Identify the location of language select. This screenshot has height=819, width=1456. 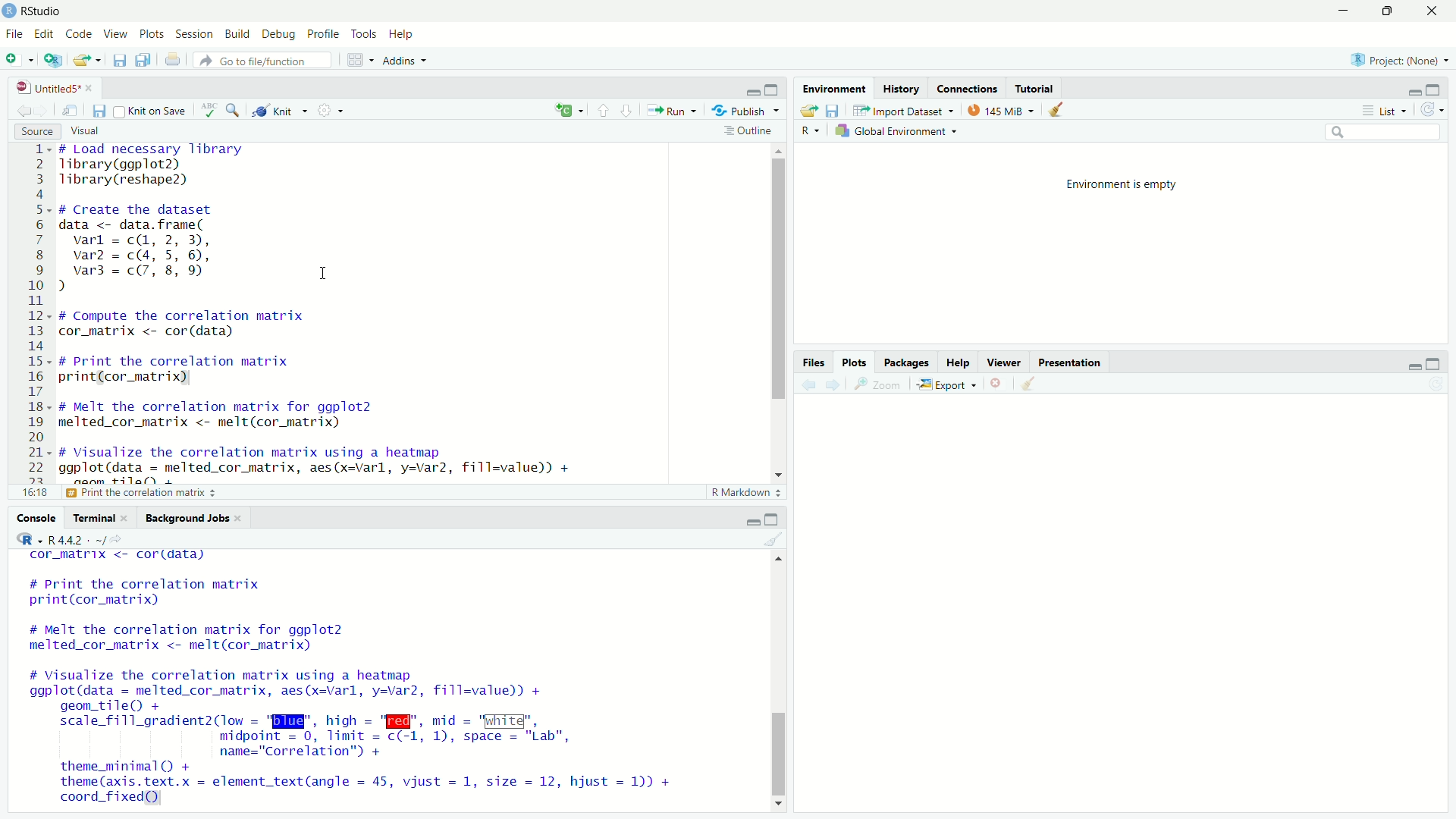
(570, 111).